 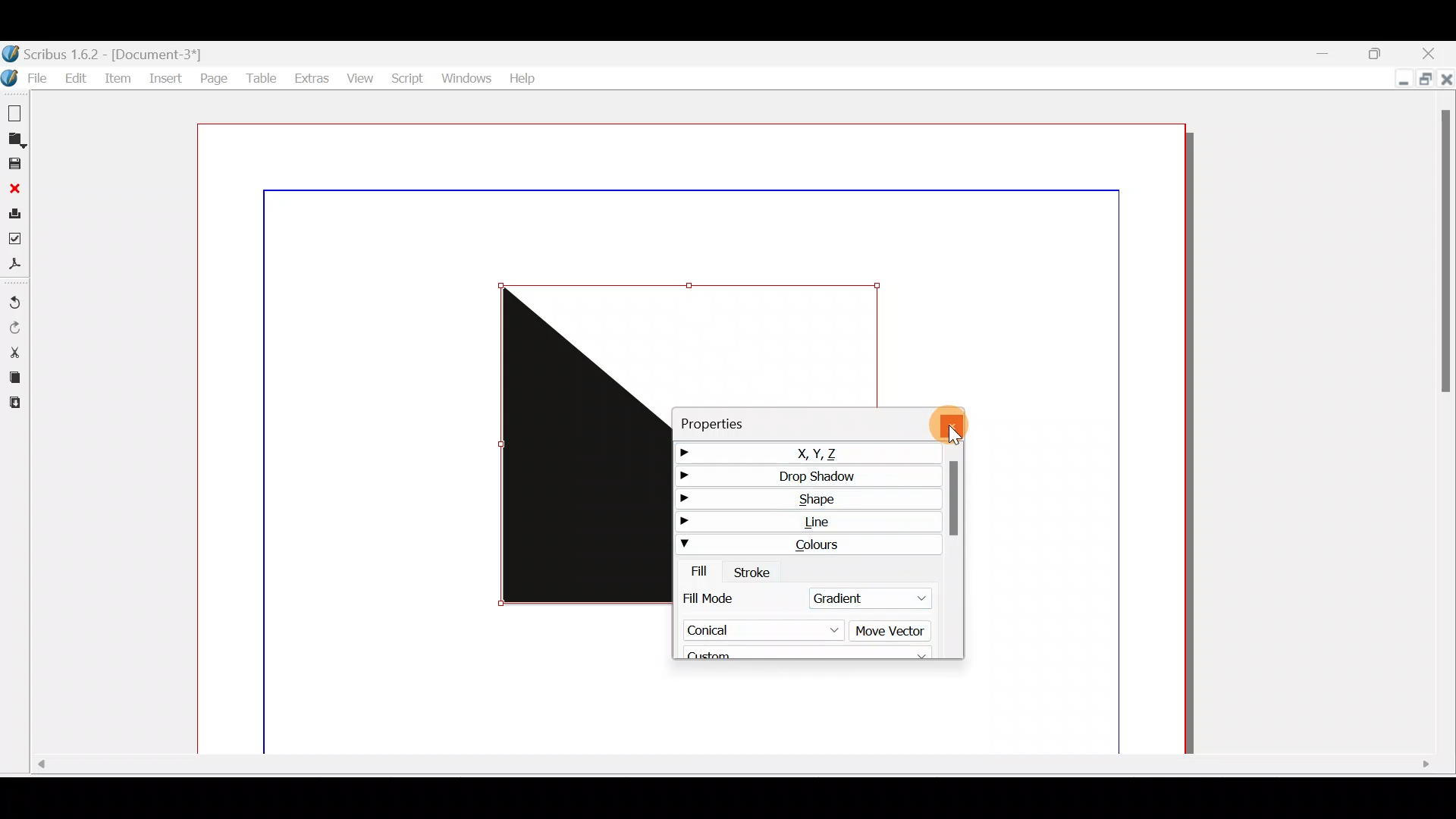 I want to click on Stroke, so click(x=755, y=570).